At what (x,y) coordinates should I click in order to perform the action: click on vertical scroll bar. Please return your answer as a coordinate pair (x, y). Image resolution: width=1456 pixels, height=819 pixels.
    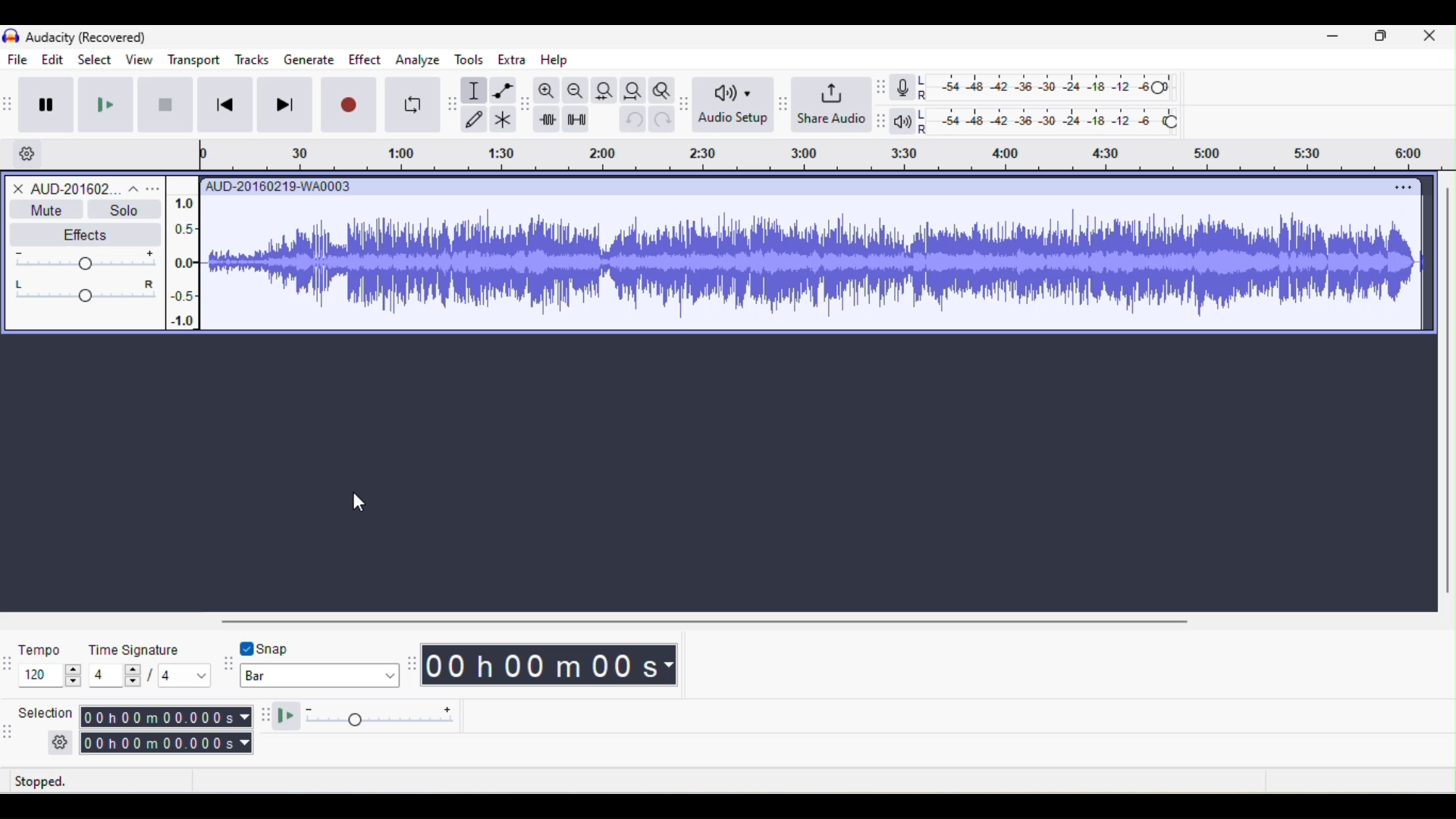
    Looking at the image, I should click on (1447, 393).